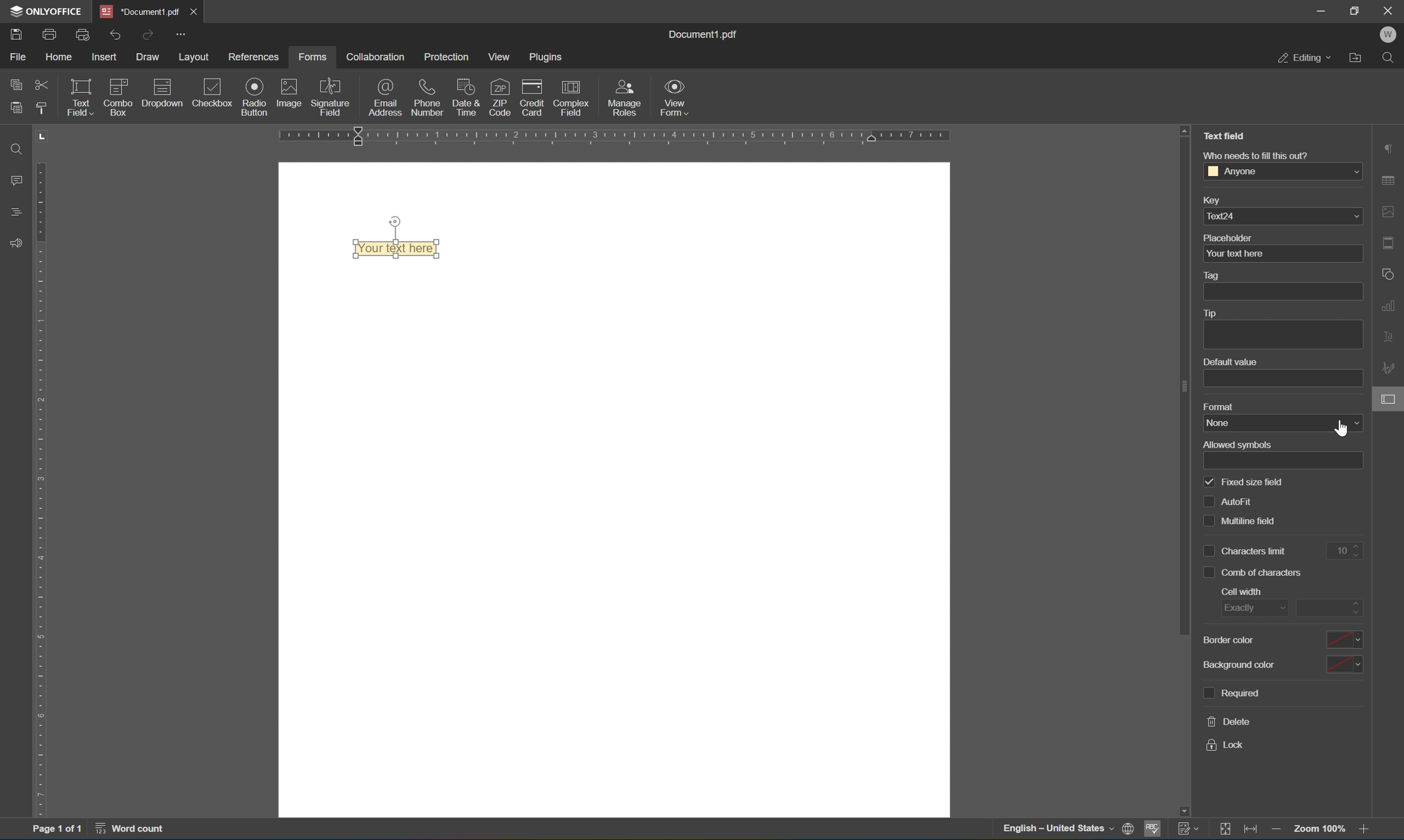 The image size is (1404, 840). What do you see at coordinates (1304, 57) in the screenshot?
I see `editing` at bounding box center [1304, 57].